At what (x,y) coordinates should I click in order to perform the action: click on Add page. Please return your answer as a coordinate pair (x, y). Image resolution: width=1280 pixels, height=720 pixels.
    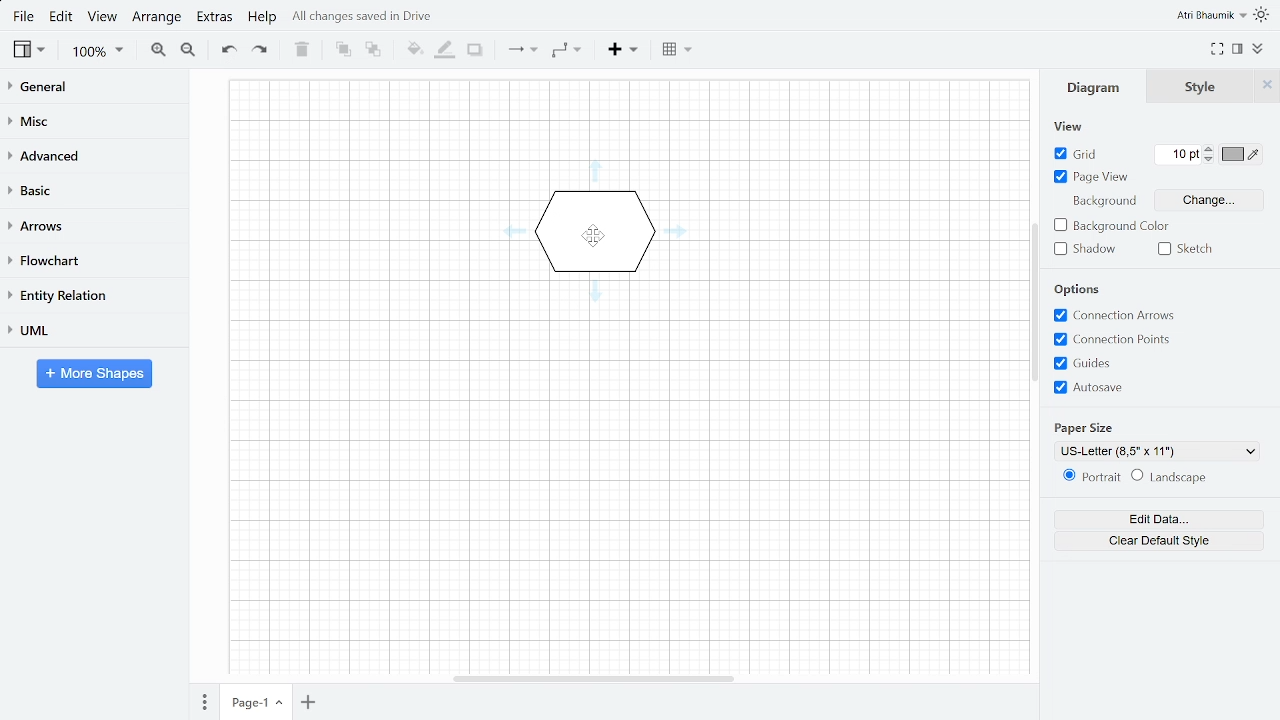
    Looking at the image, I should click on (307, 702).